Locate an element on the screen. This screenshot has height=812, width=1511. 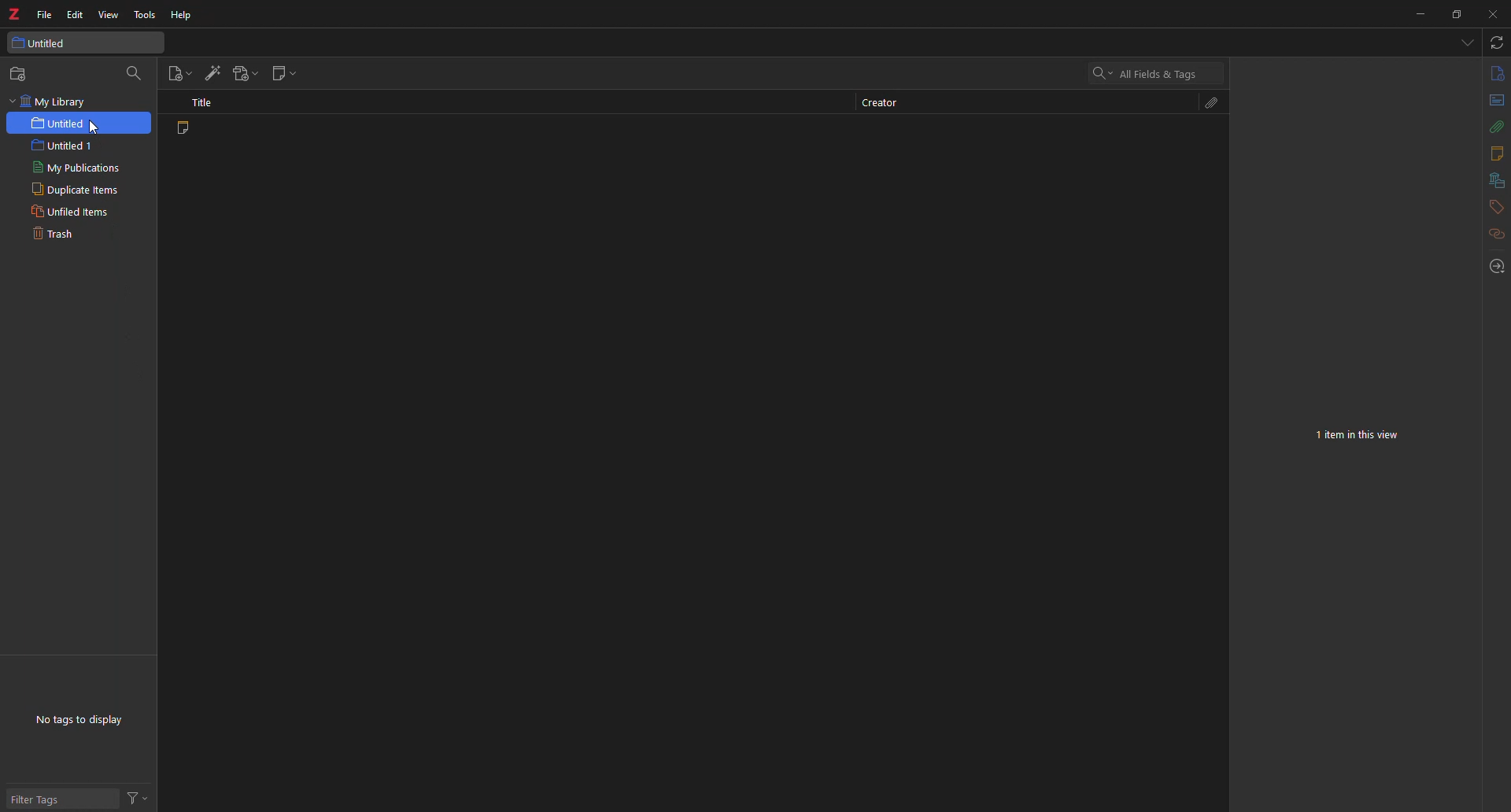
unfiled items is located at coordinates (73, 212).